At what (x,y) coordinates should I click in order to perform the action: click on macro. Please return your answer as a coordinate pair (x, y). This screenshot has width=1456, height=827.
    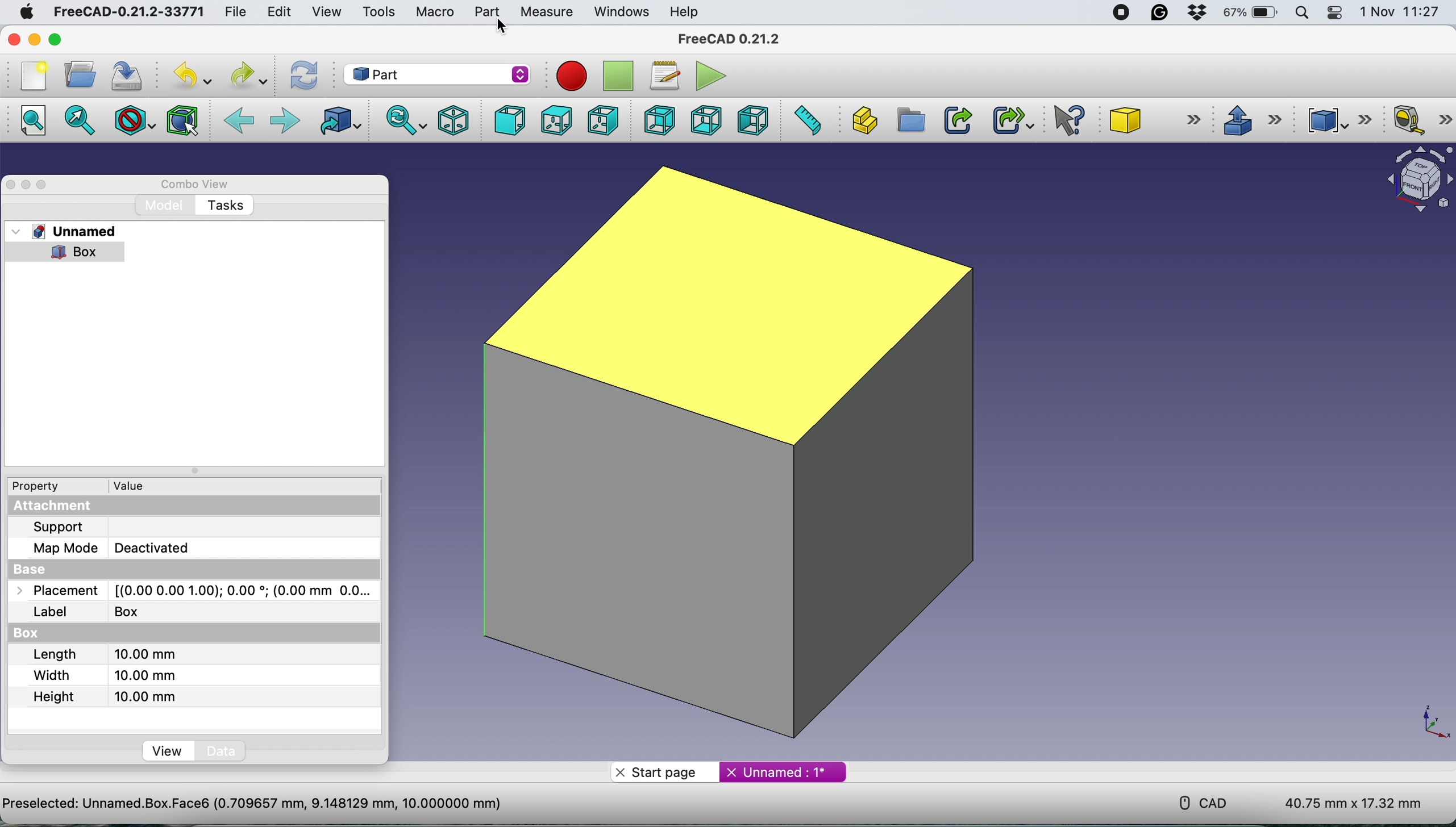
    Looking at the image, I should click on (434, 12).